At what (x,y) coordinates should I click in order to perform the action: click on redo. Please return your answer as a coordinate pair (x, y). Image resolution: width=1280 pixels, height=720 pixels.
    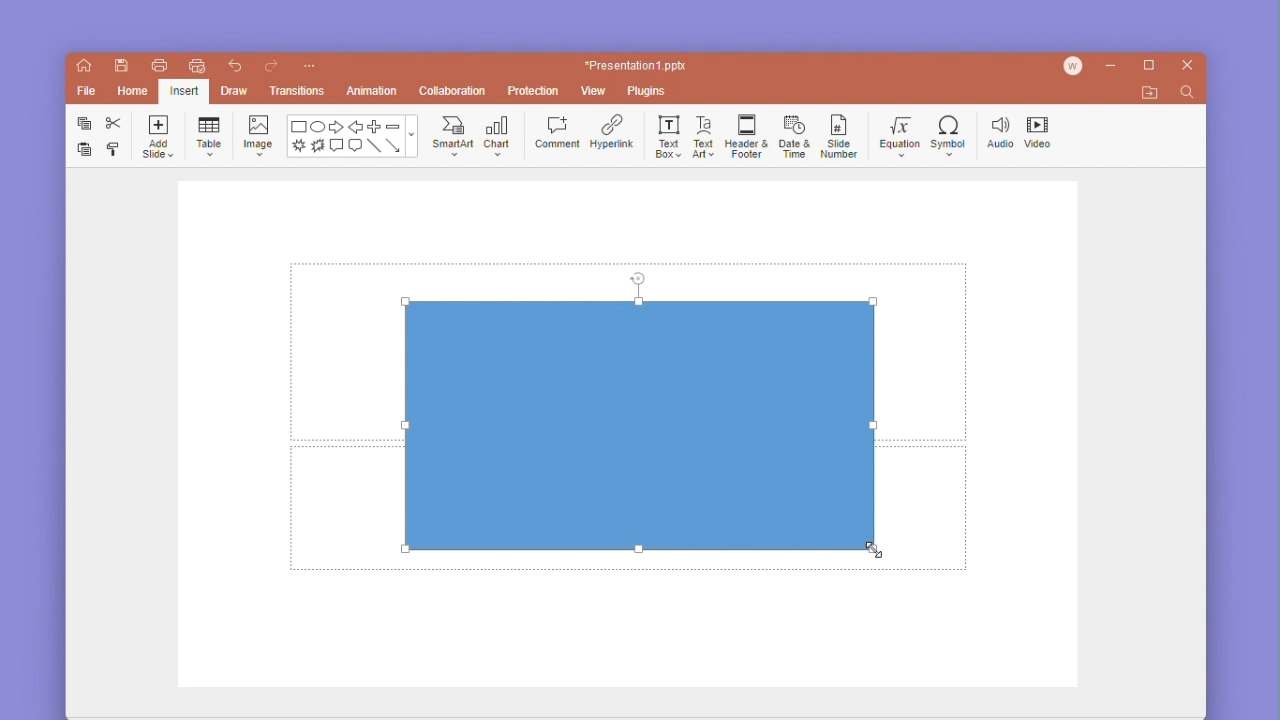
    Looking at the image, I should click on (272, 65).